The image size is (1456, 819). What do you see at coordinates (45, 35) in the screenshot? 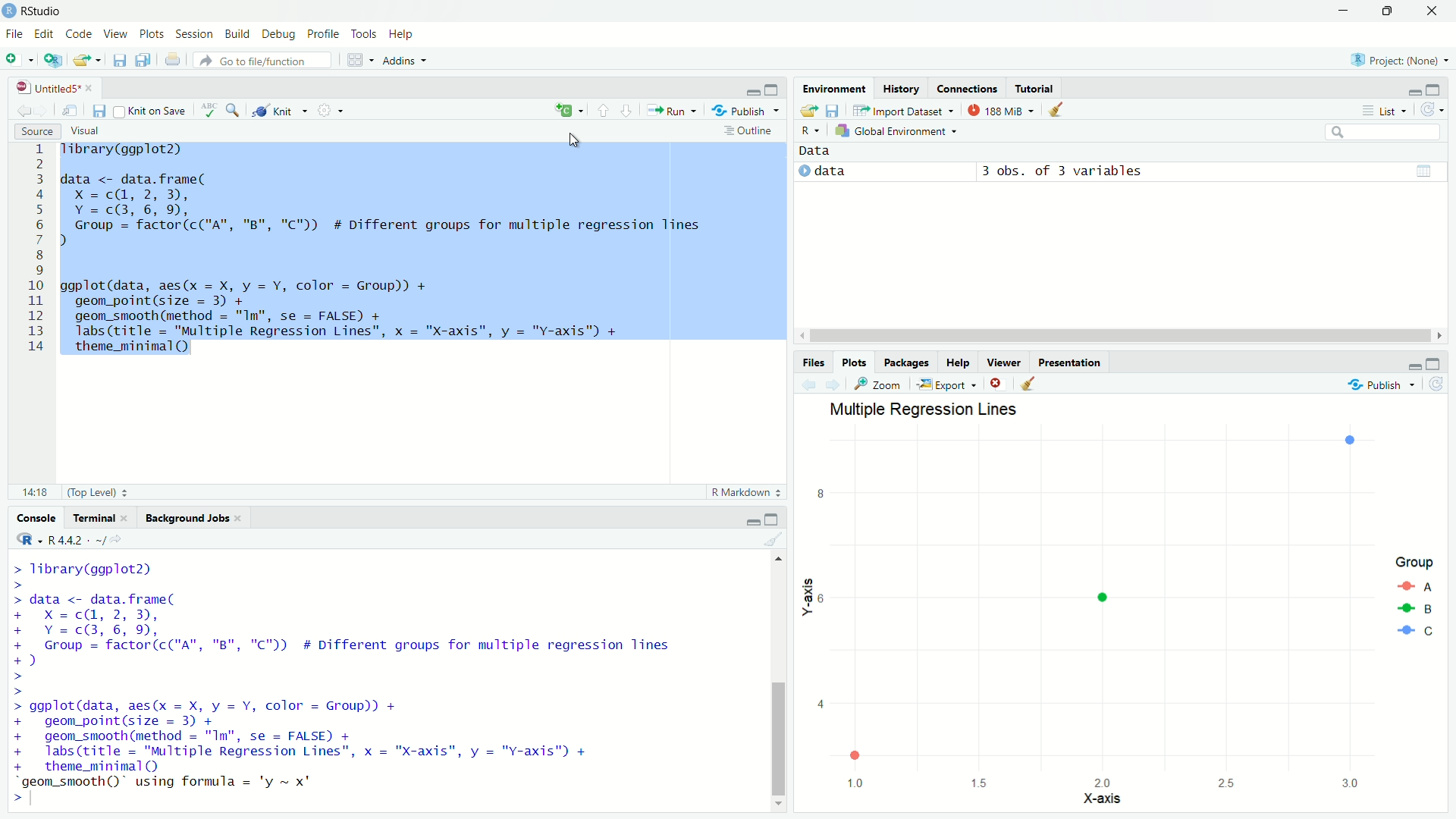
I see `Edit` at bounding box center [45, 35].